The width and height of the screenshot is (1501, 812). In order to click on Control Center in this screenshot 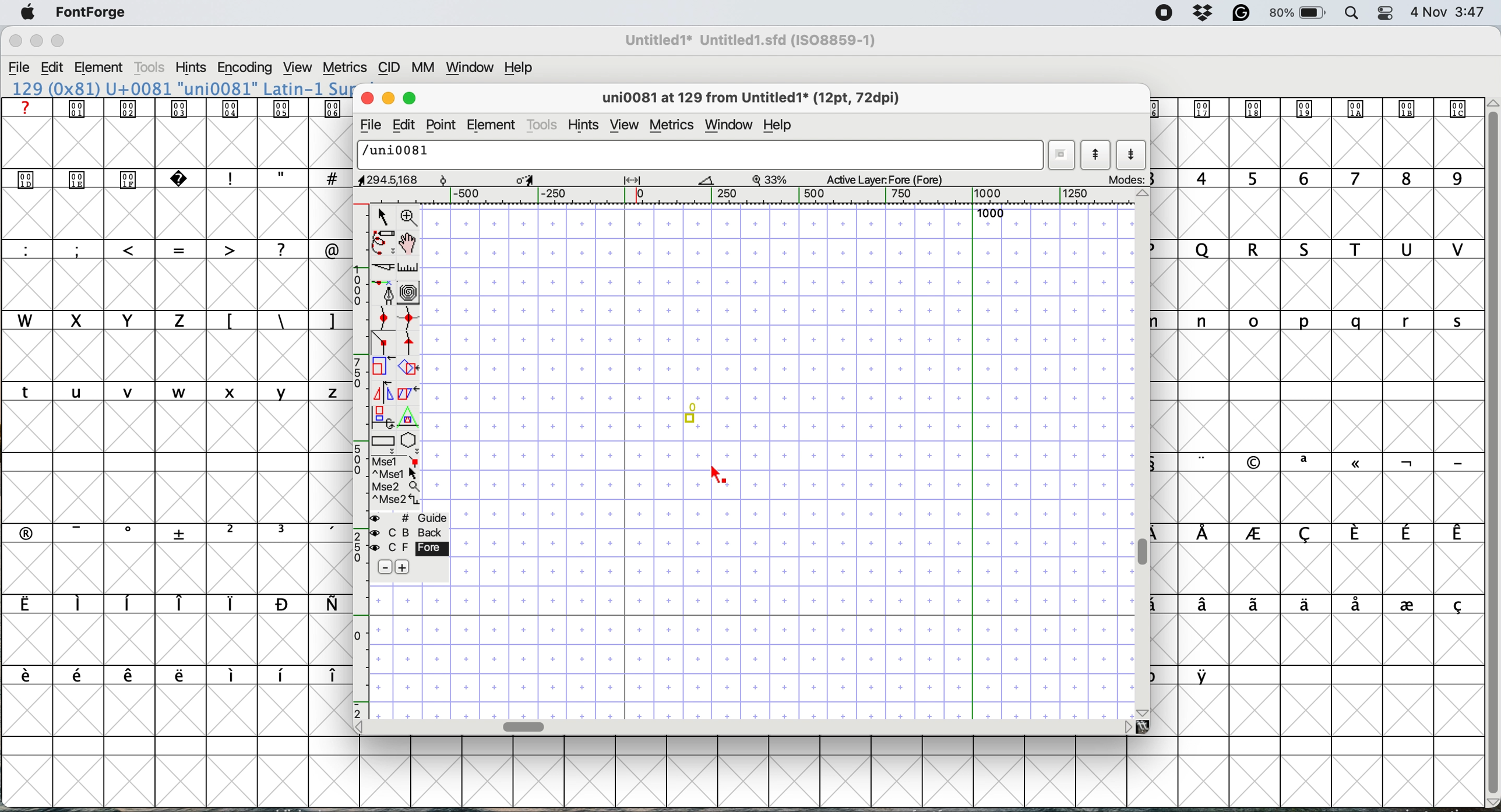, I will do `click(1385, 14)`.